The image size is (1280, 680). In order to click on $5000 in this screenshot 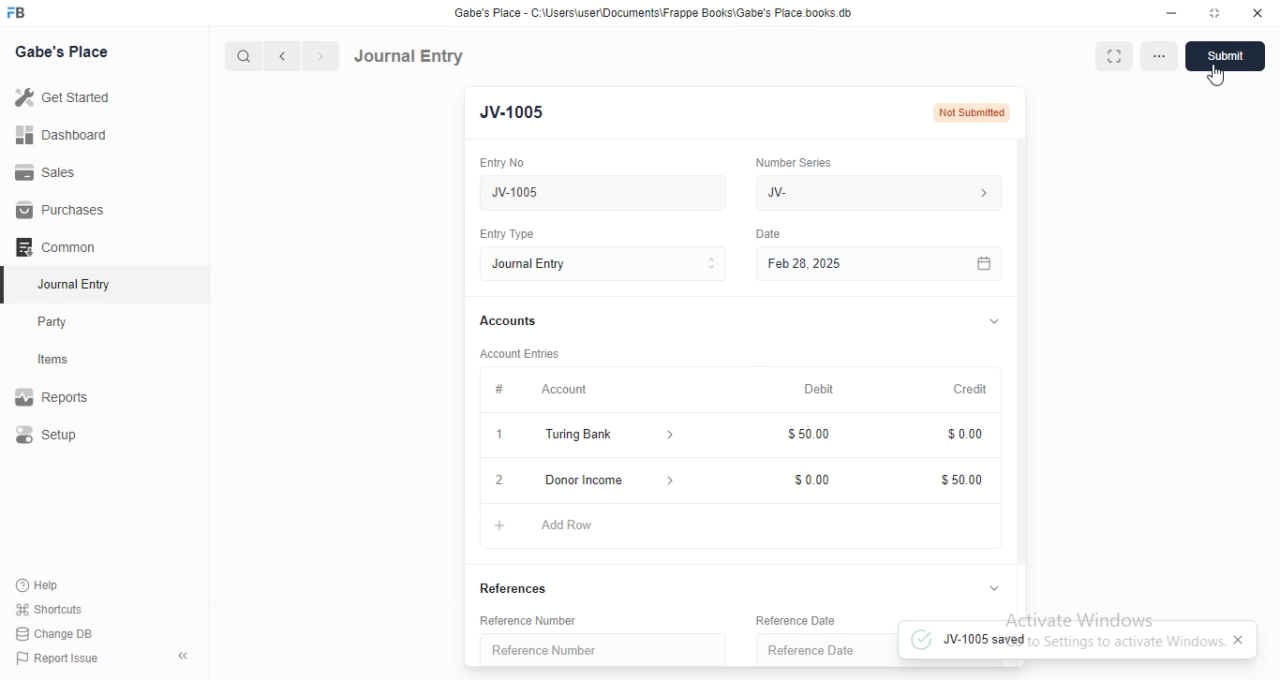, I will do `click(964, 480)`.